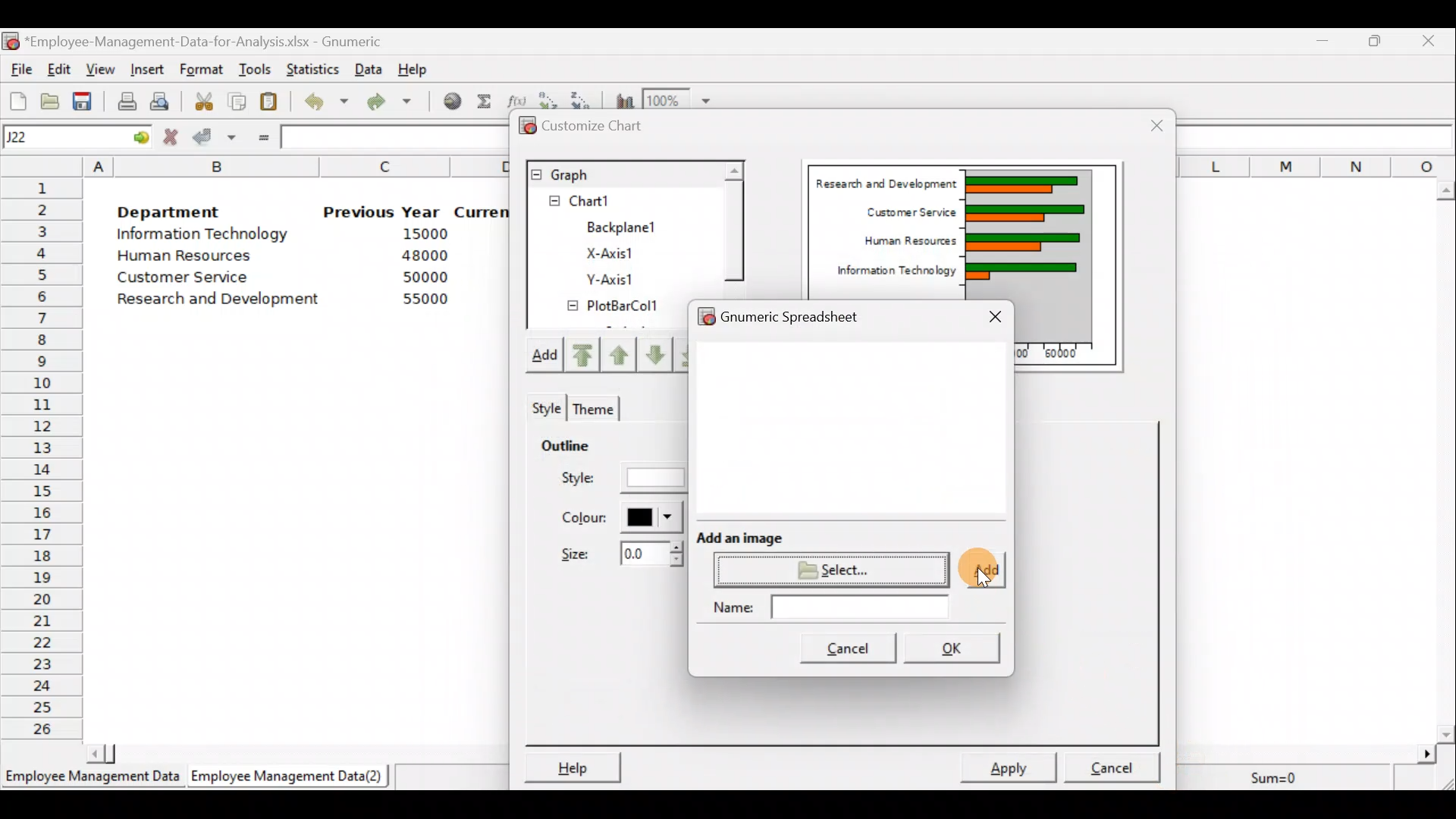 The height and width of the screenshot is (819, 1456). What do you see at coordinates (837, 608) in the screenshot?
I see `Name` at bounding box center [837, 608].